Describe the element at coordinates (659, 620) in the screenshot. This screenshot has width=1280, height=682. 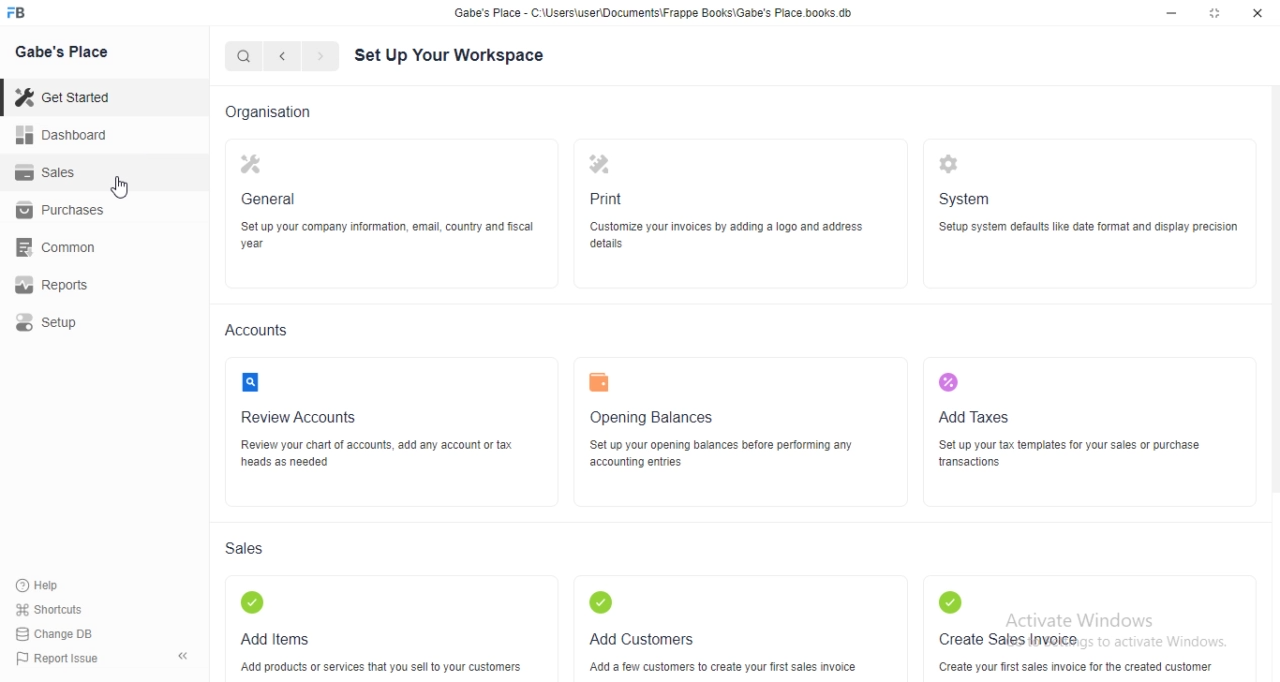
I see `Add Customers` at that location.